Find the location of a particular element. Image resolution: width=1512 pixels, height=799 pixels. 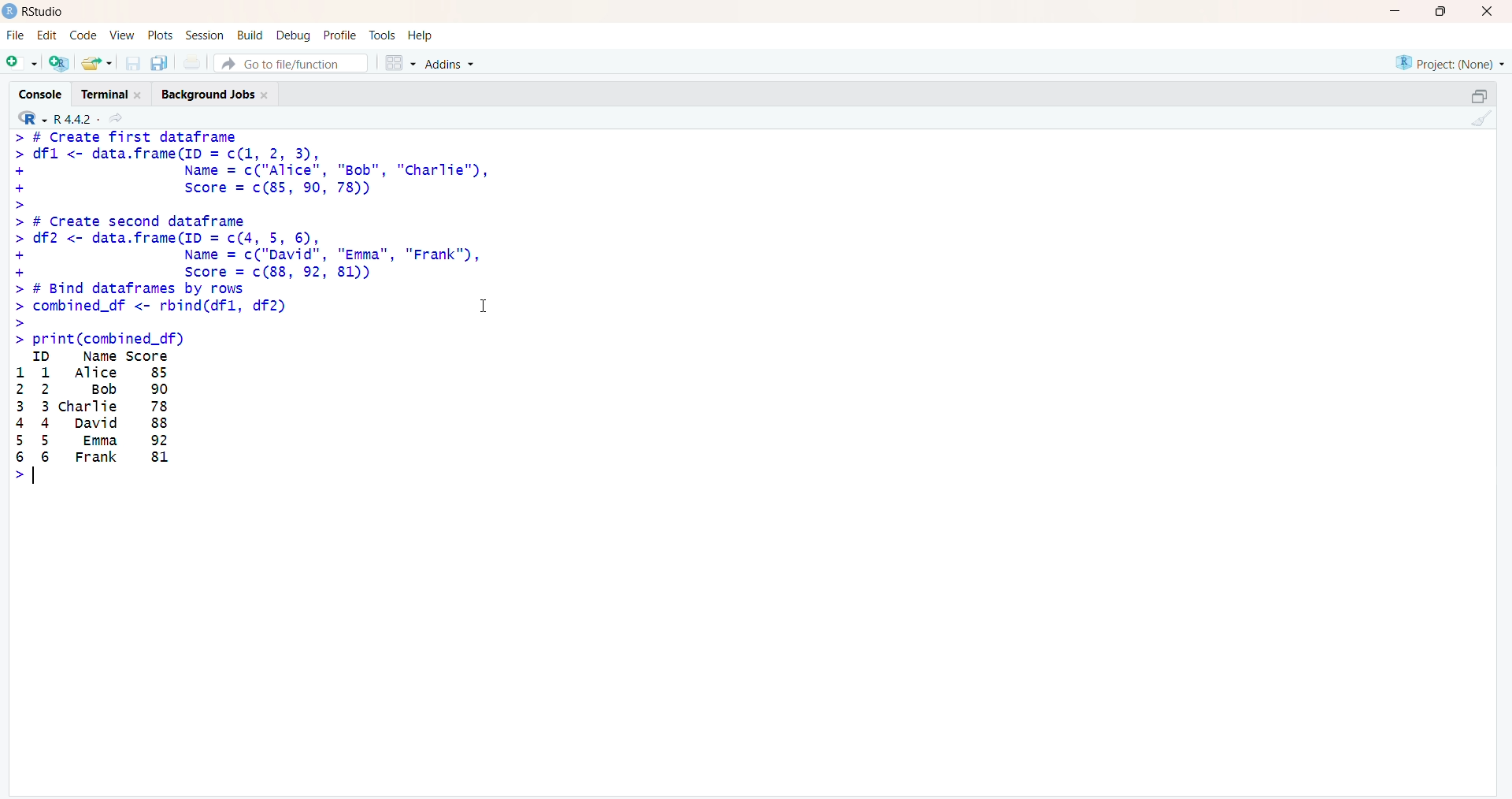

save current document is located at coordinates (133, 64).